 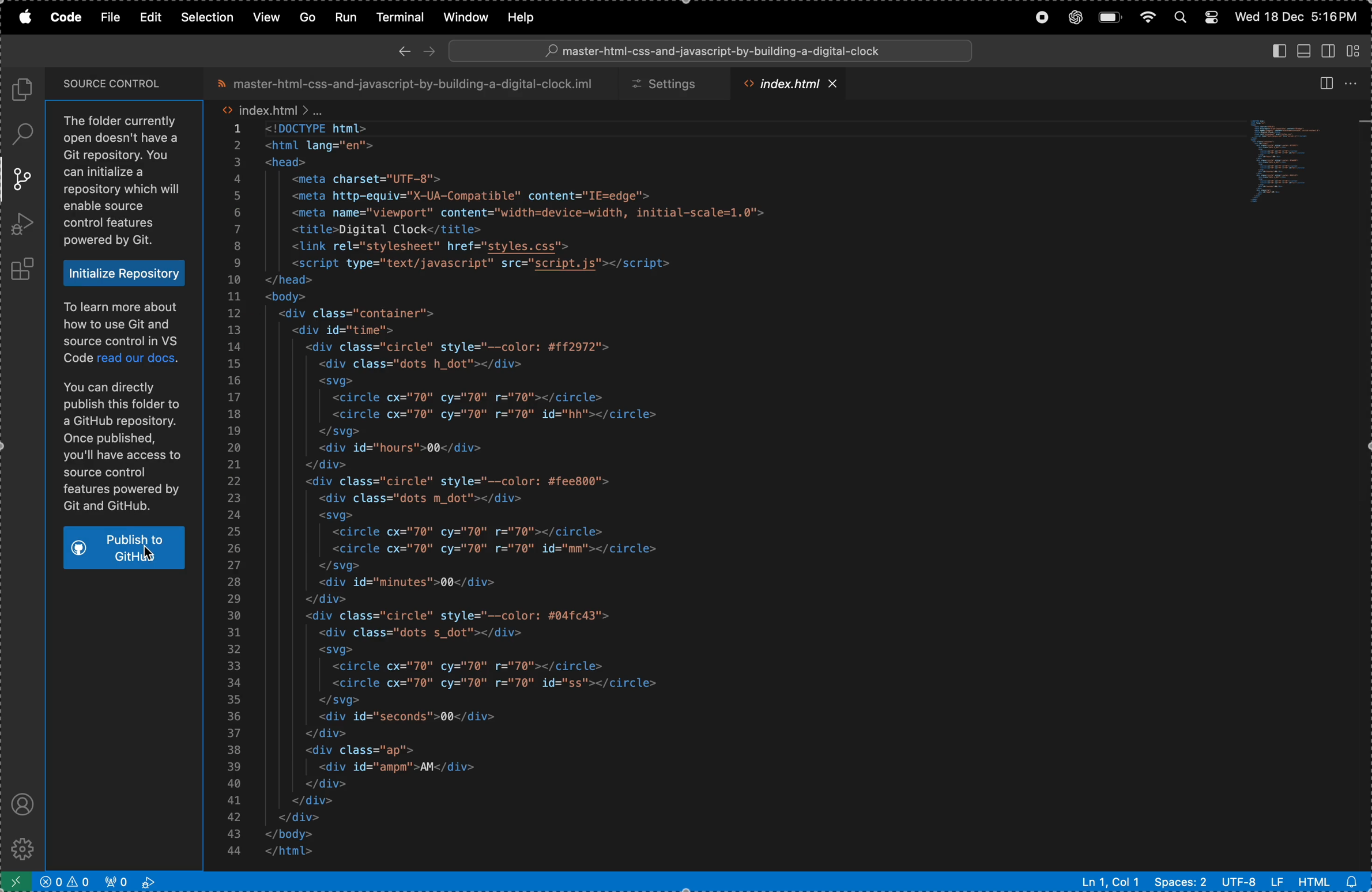 I want to click on <svg>, so click(x=361, y=651).